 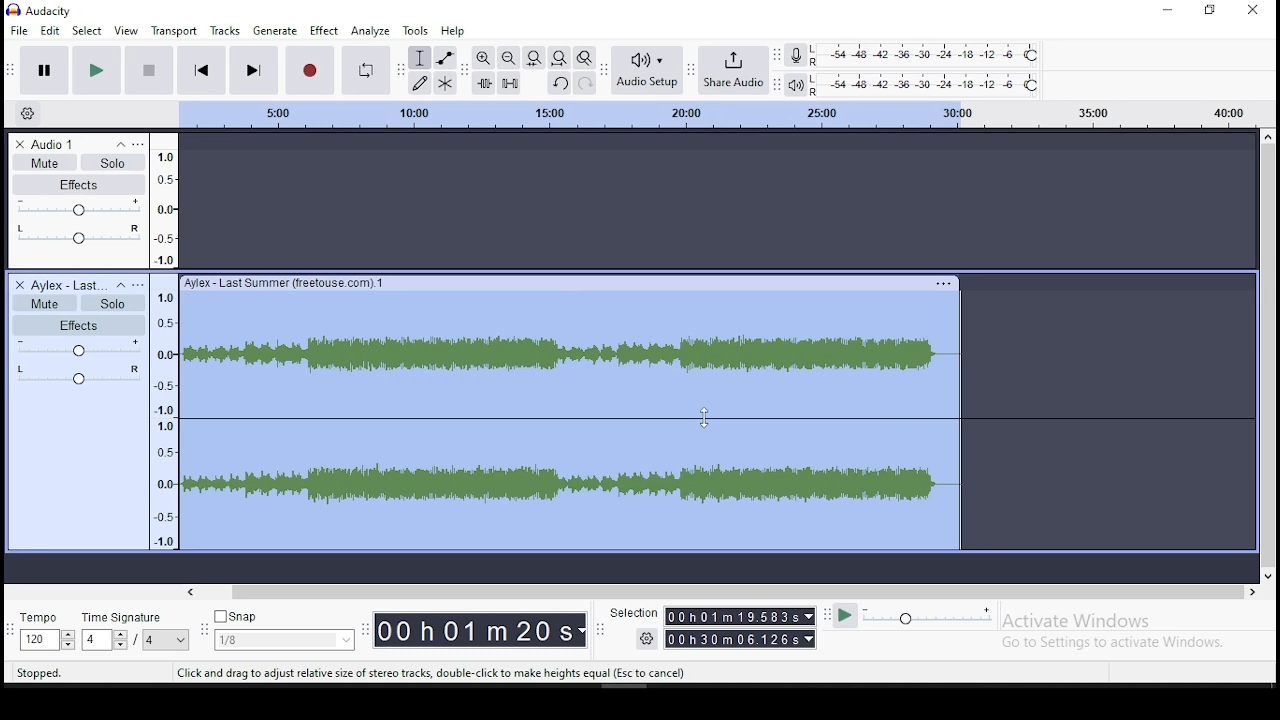 I want to click on audio track, so click(x=574, y=416).